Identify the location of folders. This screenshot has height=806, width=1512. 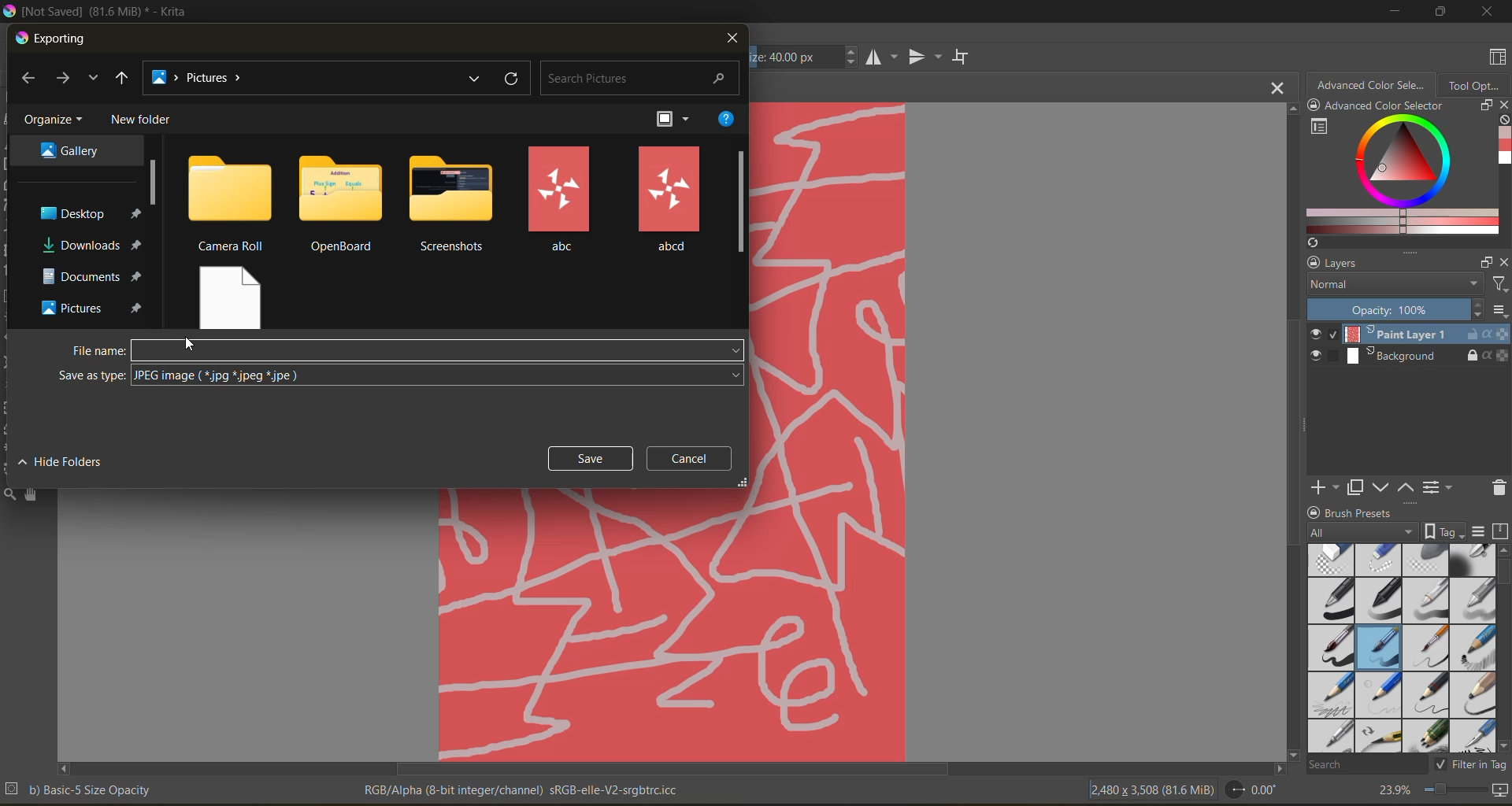
(230, 202).